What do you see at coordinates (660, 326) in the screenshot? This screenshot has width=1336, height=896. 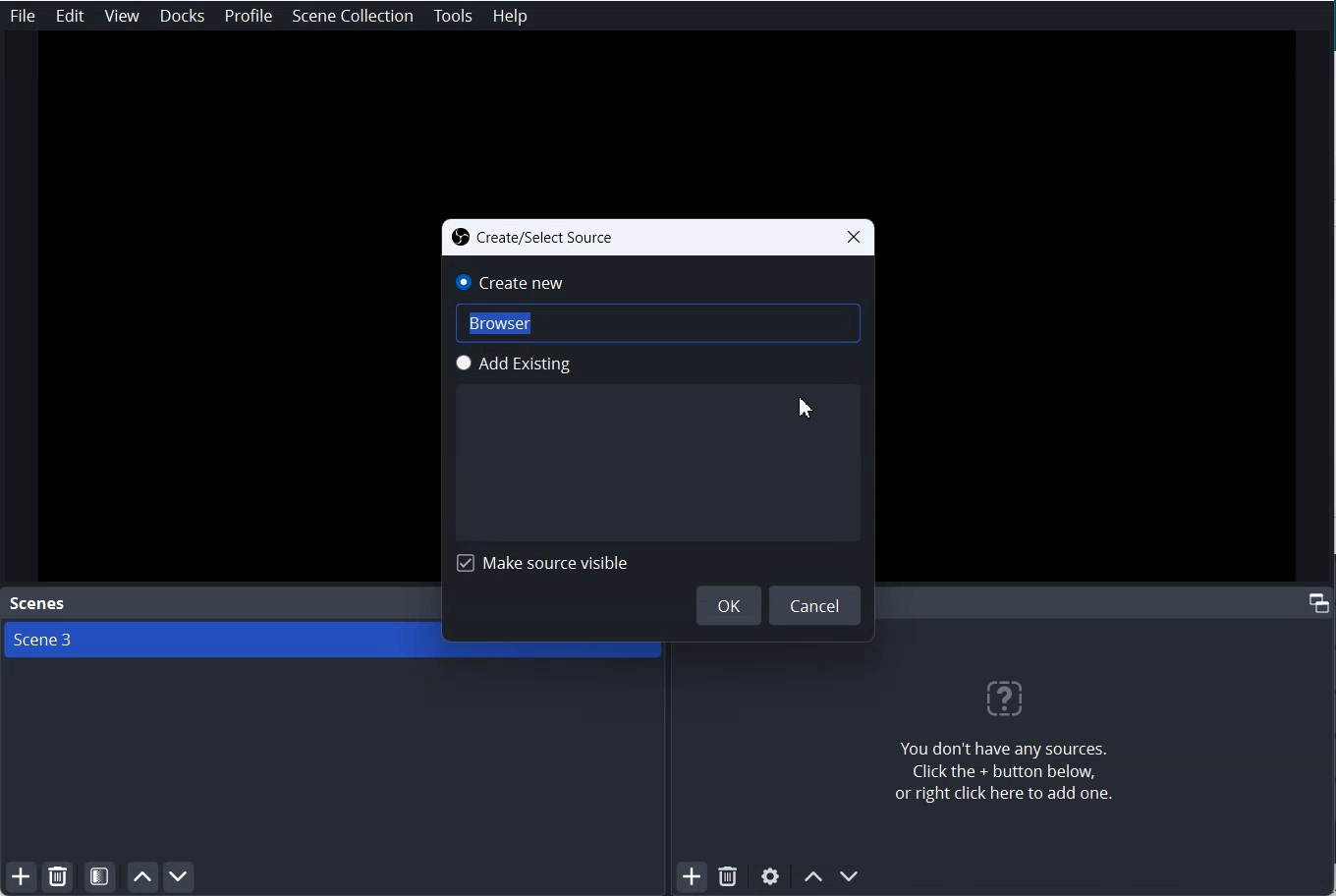 I see `New source name` at bounding box center [660, 326].